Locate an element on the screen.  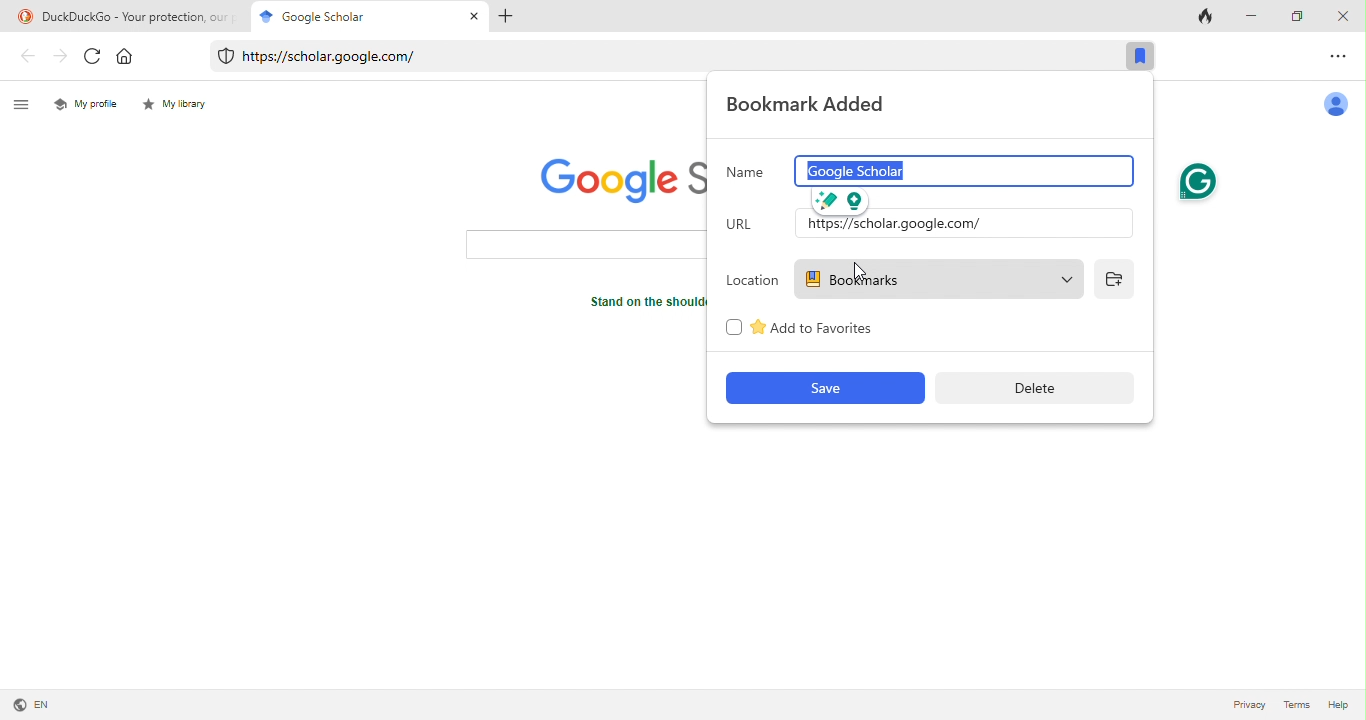
bookmarks is located at coordinates (940, 280).